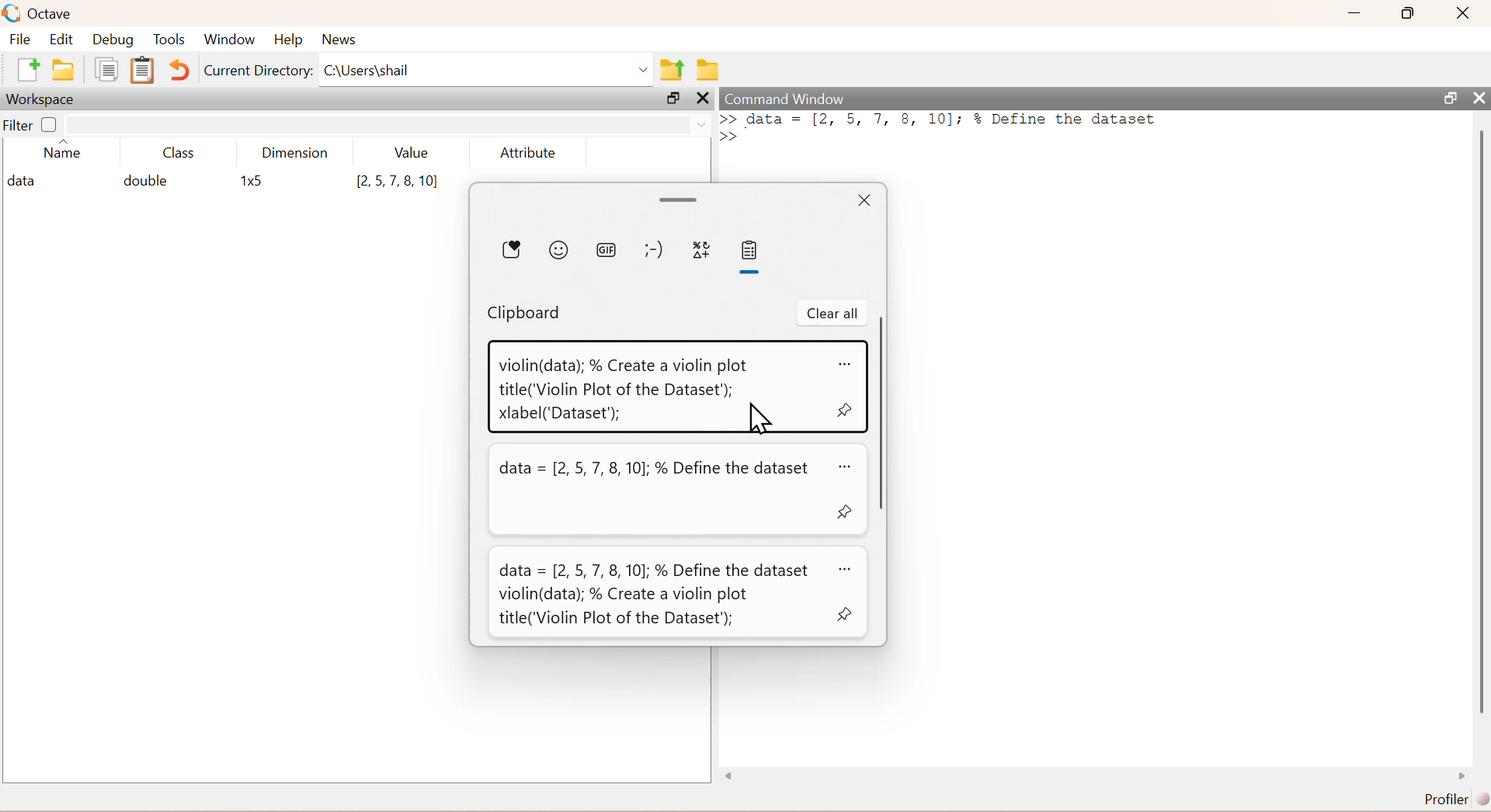 The image size is (1491, 812). Describe the element at coordinates (703, 125) in the screenshot. I see `Drop-down ` at that location.